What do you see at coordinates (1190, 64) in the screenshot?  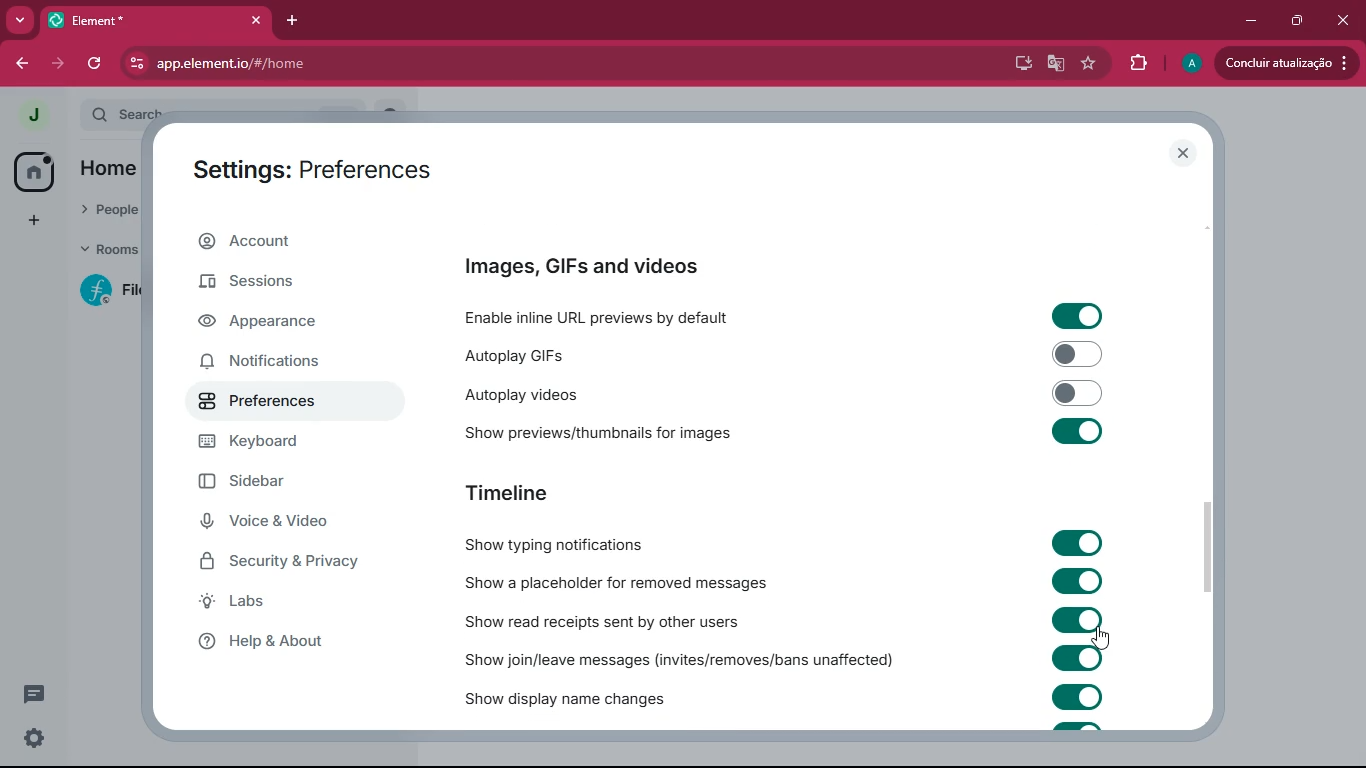 I see `profile` at bounding box center [1190, 64].